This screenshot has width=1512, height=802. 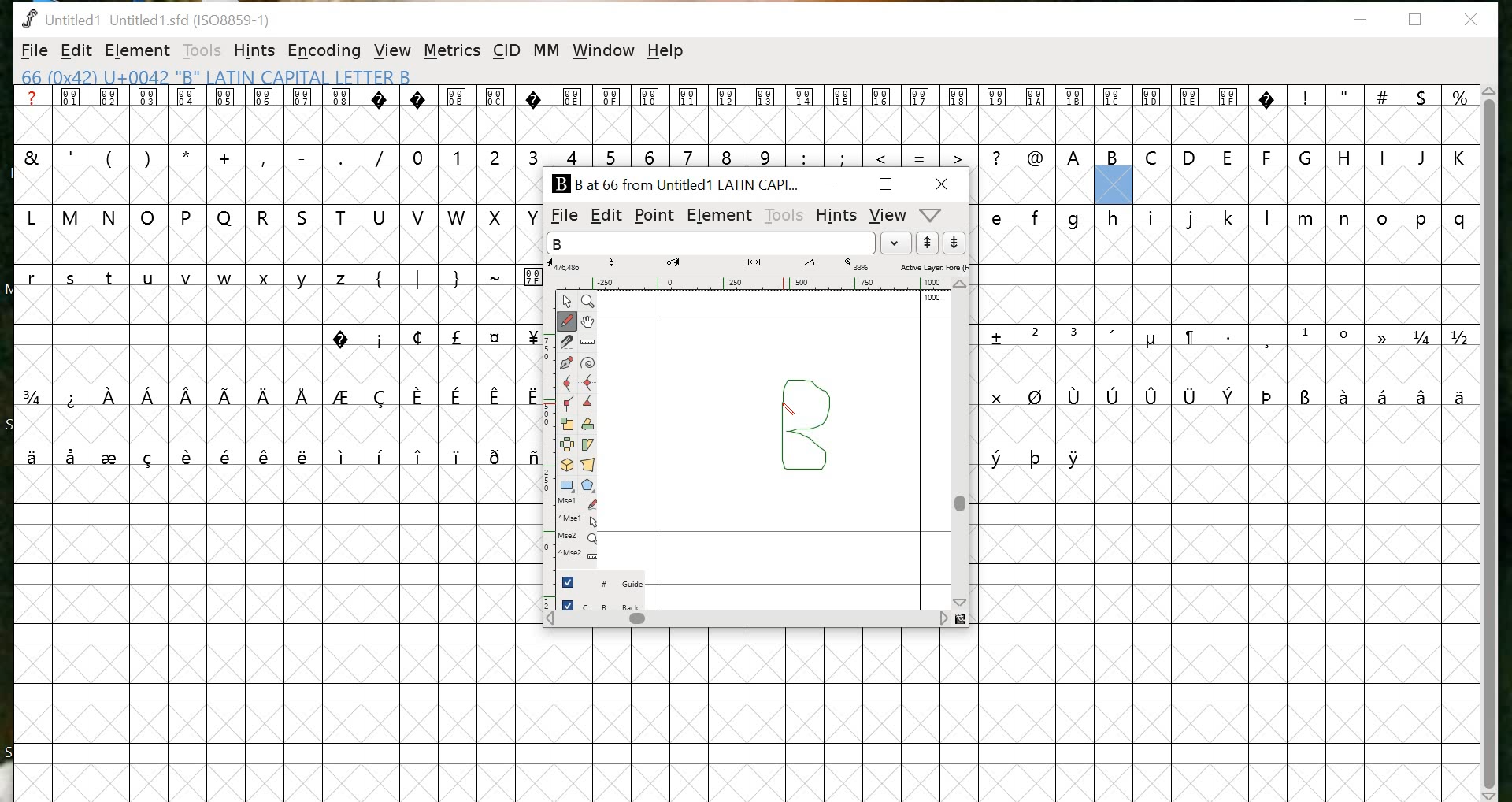 I want to click on Freehand, so click(x=568, y=323).